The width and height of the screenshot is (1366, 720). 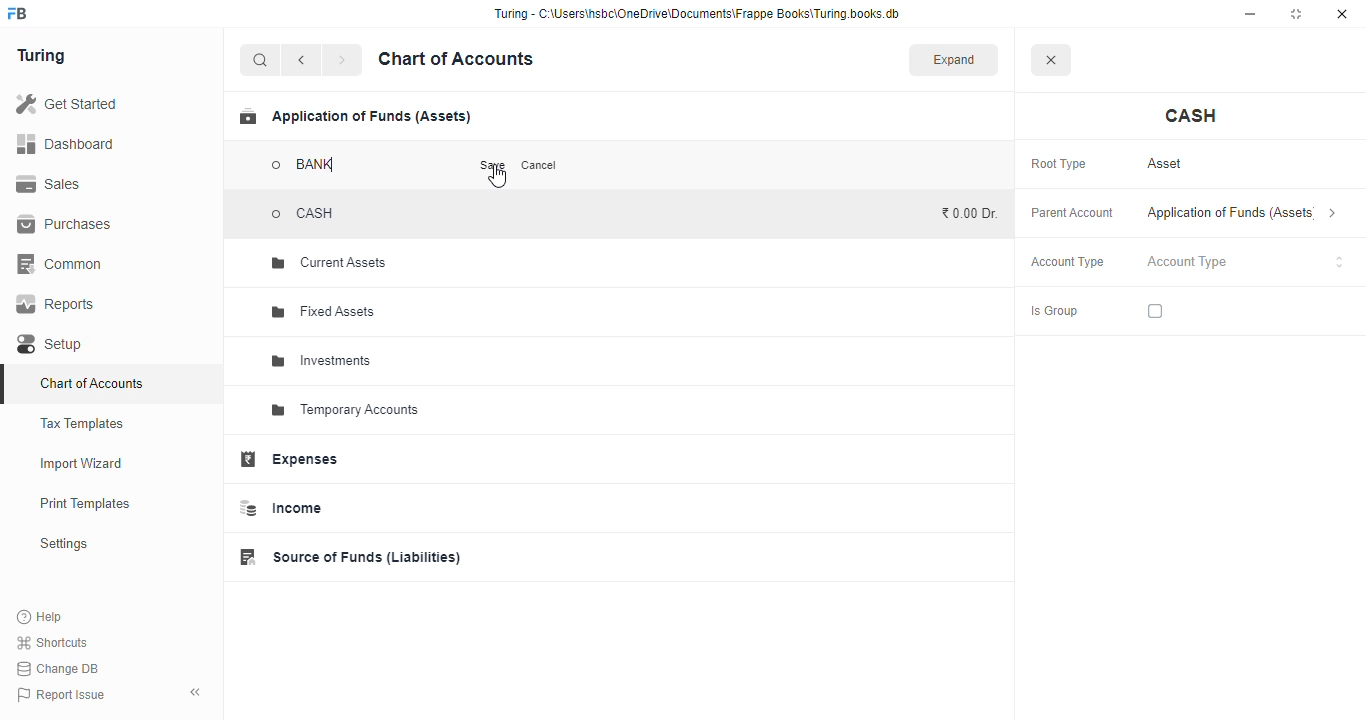 I want to click on cursor, so click(x=497, y=177).